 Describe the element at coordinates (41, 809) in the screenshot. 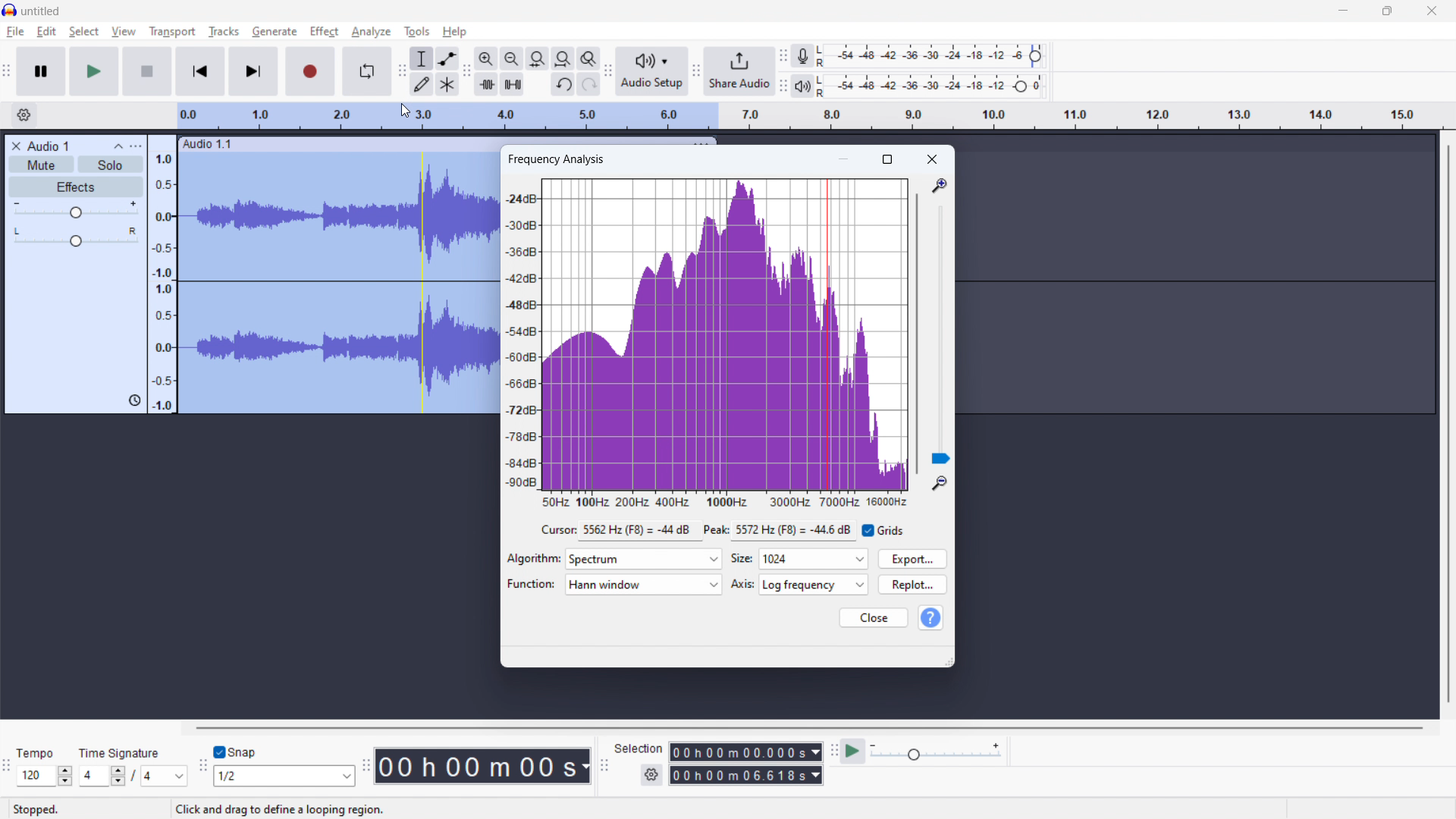

I see `Stopped` at that location.